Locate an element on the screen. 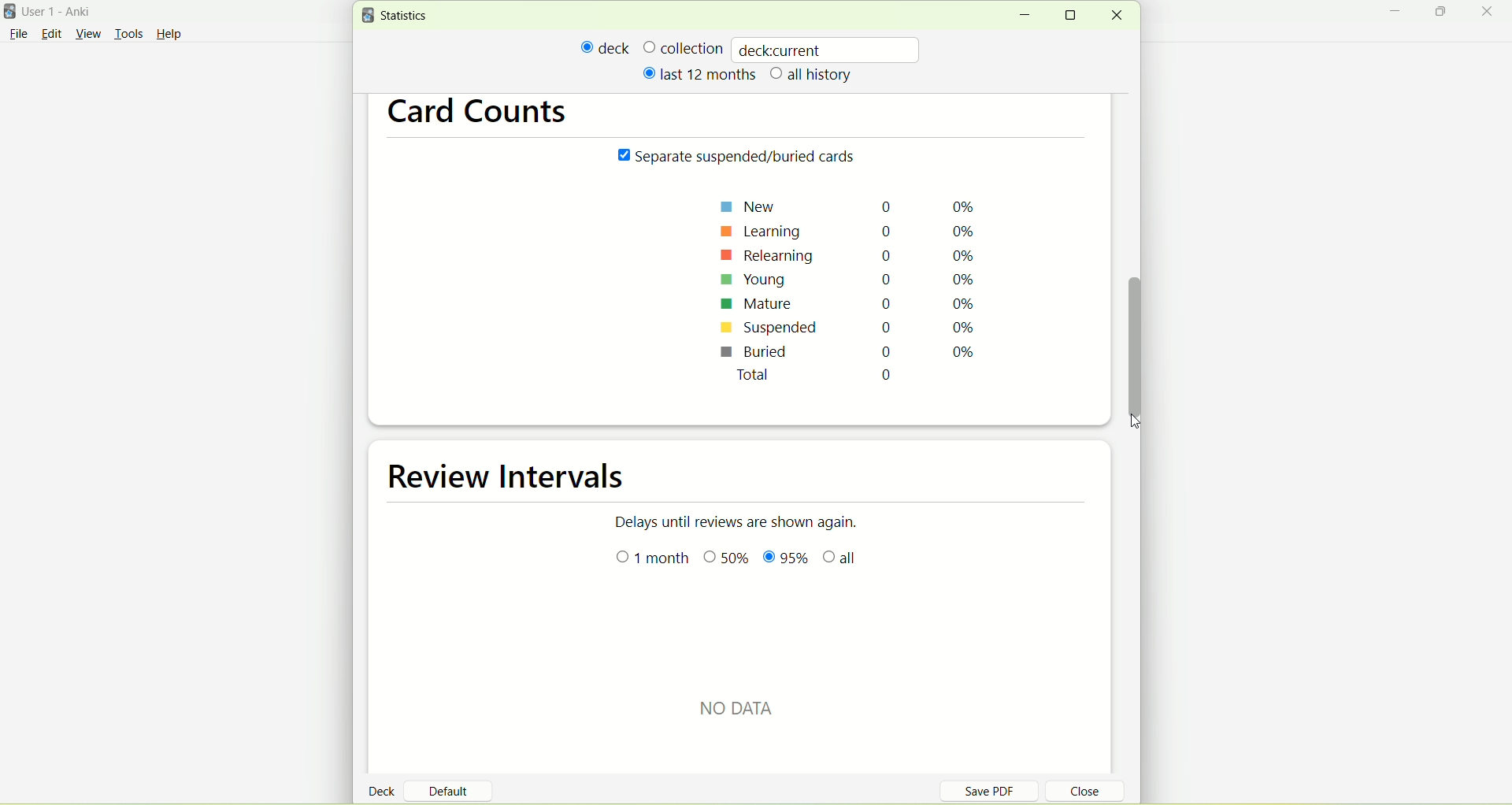  deck is located at coordinates (384, 790).